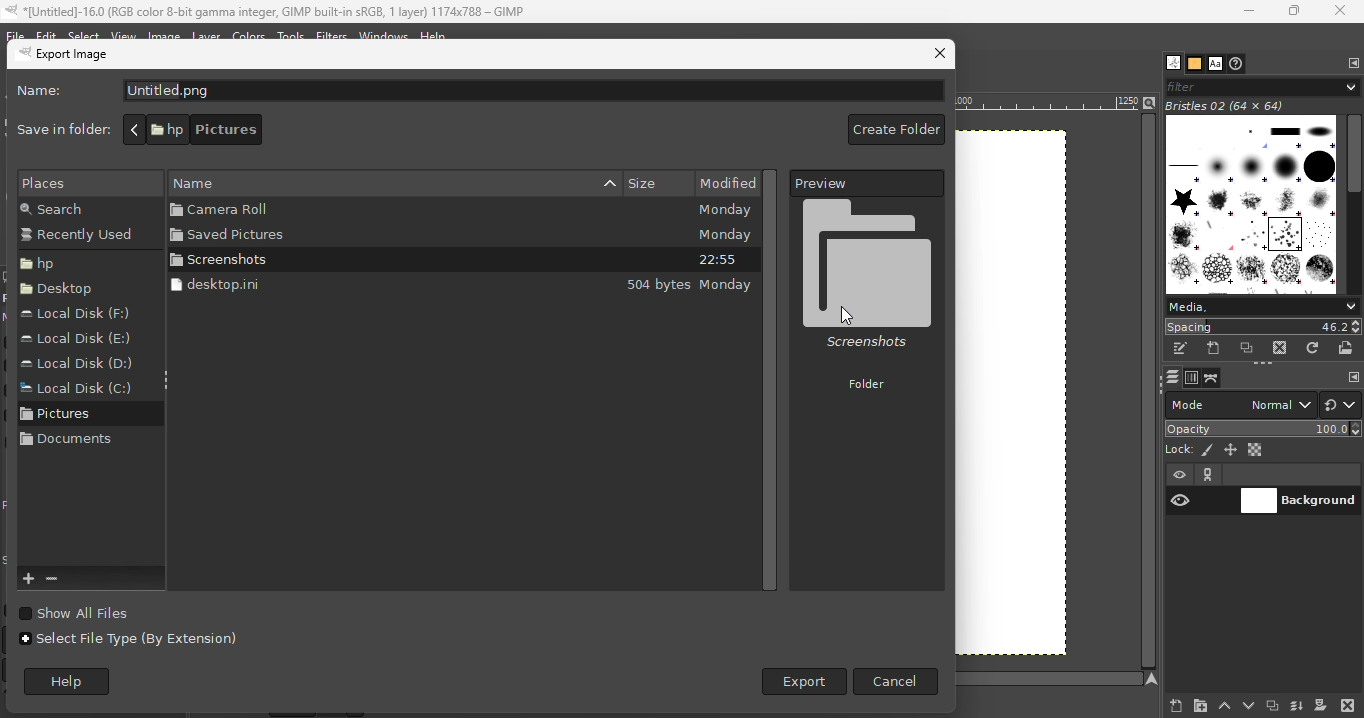  I want to click on Media,, so click(1262, 306).